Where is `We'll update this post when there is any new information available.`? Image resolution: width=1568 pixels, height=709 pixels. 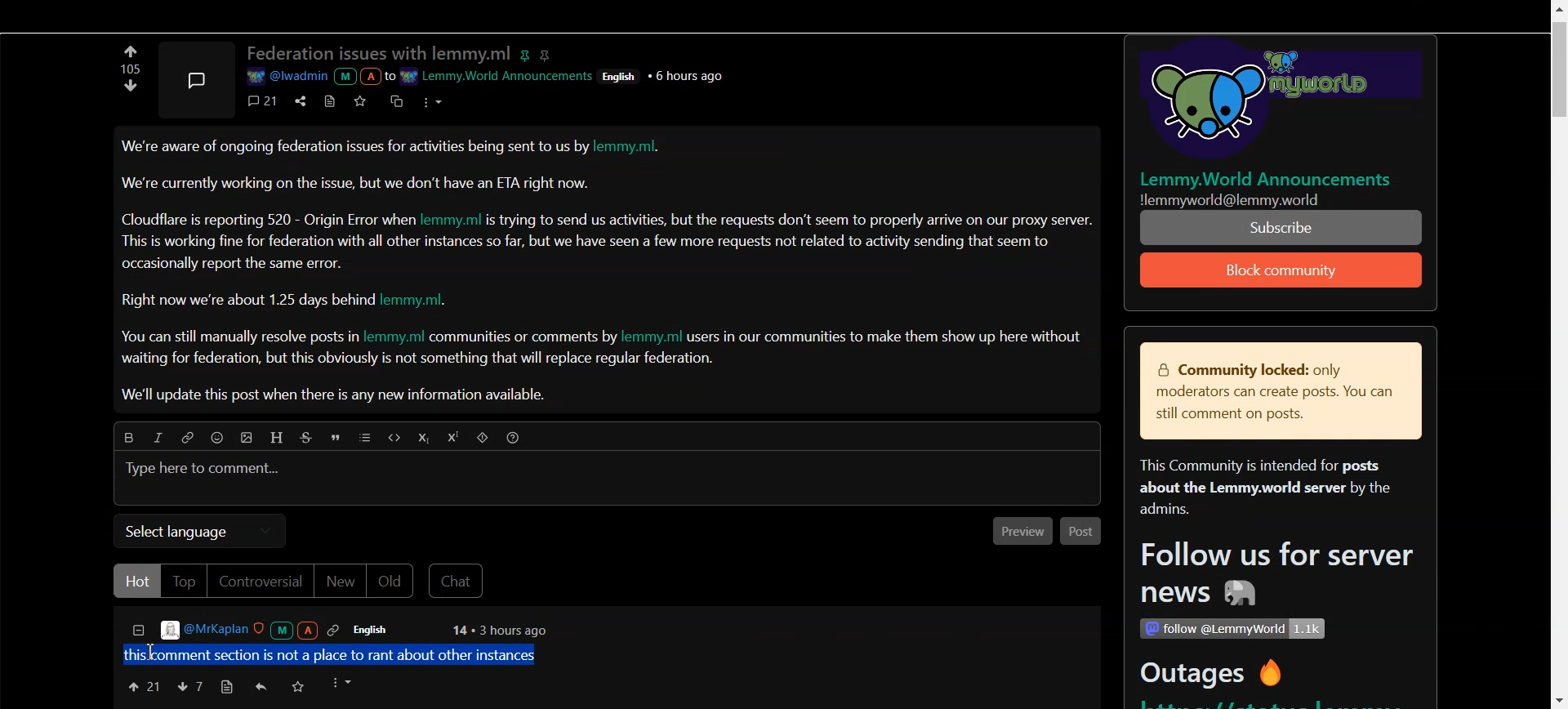
We'll update this post when there is any new information available. is located at coordinates (336, 395).